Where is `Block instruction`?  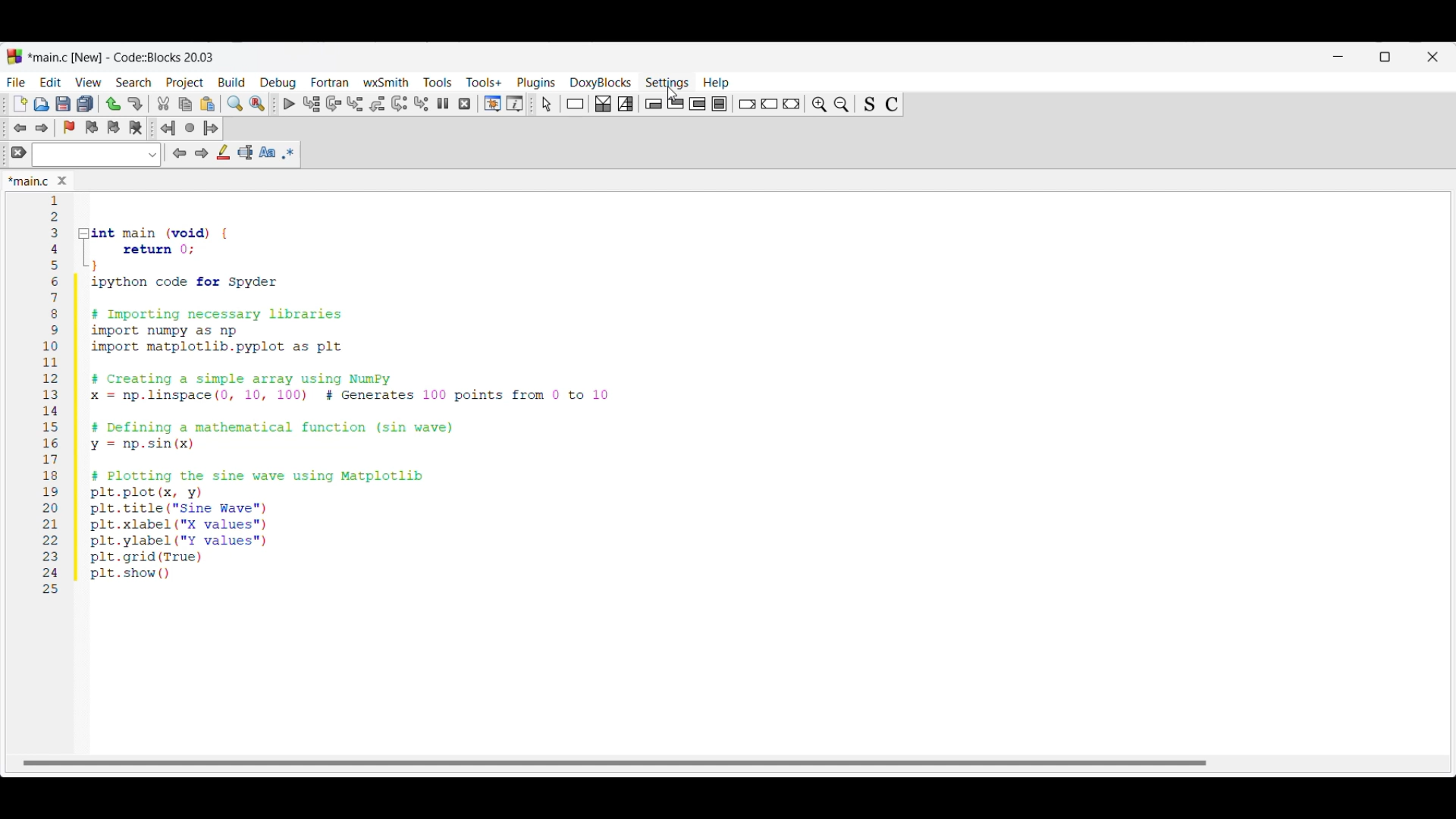 Block instruction is located at coordinates (719, 104).